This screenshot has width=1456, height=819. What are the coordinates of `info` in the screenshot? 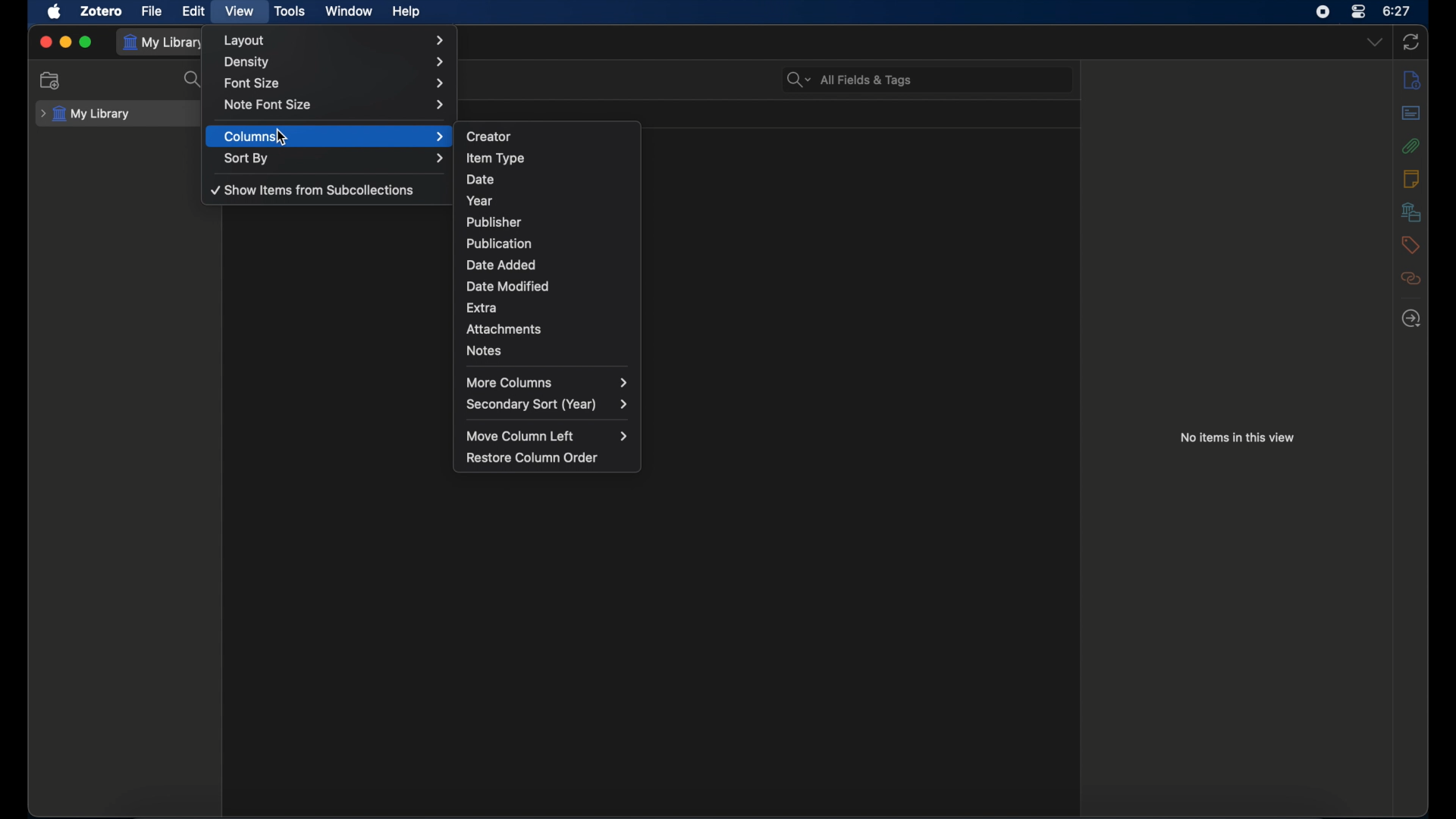 It's located at (1412, 178).